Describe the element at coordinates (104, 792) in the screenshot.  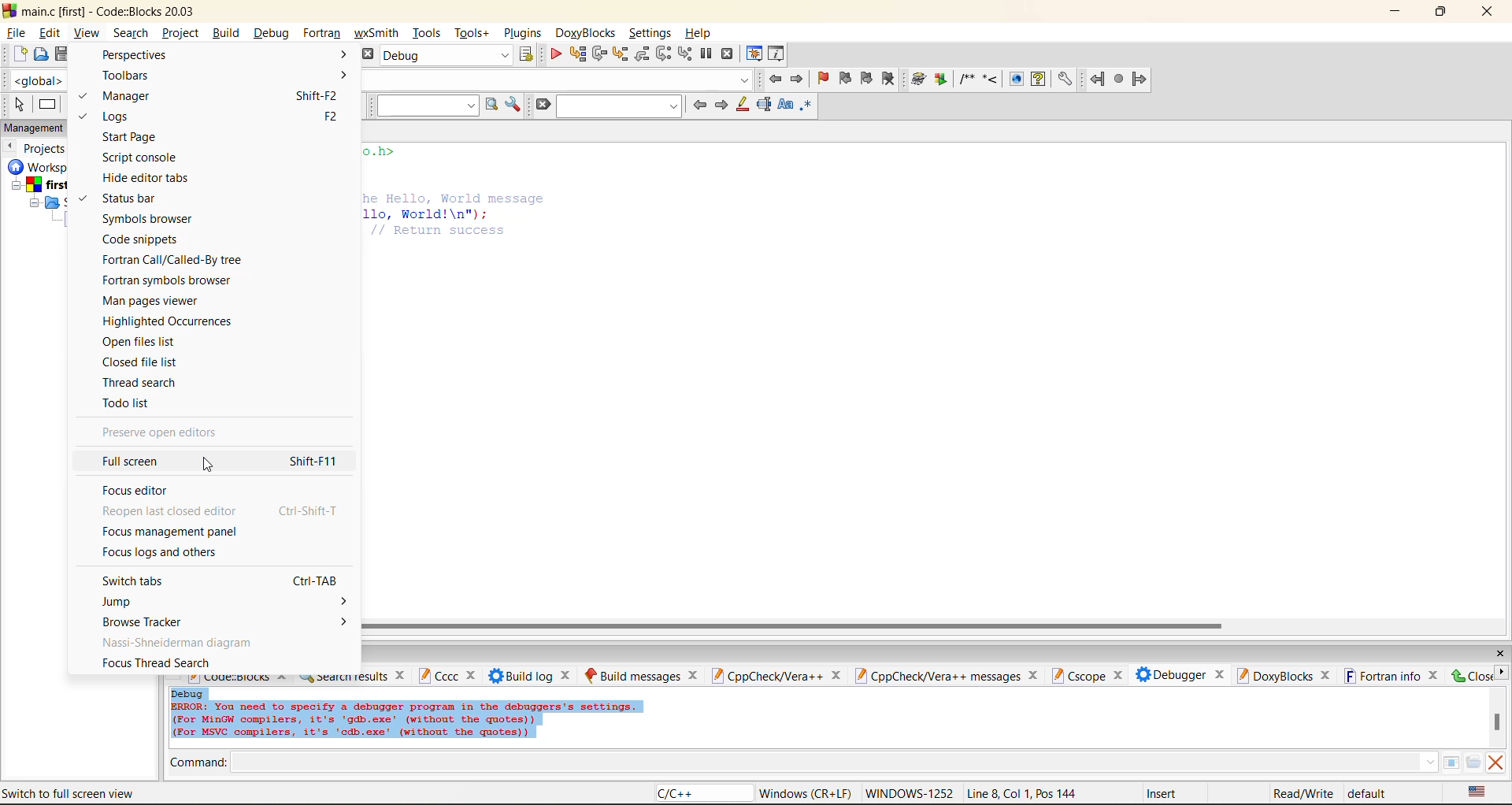
I see `C:\Users\tarun\Downloads\first\main.c` at that location.